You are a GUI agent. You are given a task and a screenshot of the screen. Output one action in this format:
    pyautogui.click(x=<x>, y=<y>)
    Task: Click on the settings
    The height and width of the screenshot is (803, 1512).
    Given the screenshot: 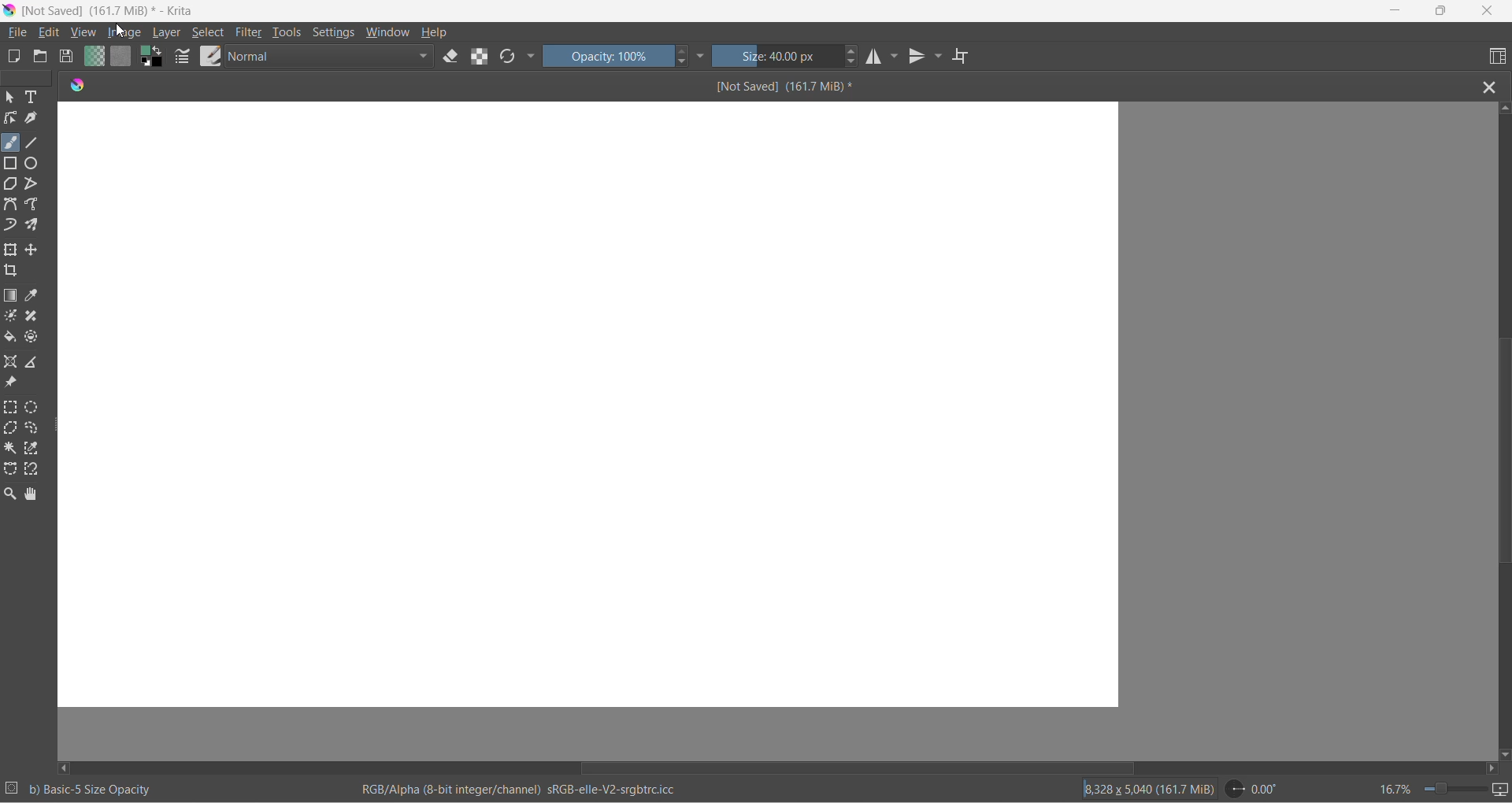 What is the action you would take?
    pyautogui.click(x=337, y=34)
    